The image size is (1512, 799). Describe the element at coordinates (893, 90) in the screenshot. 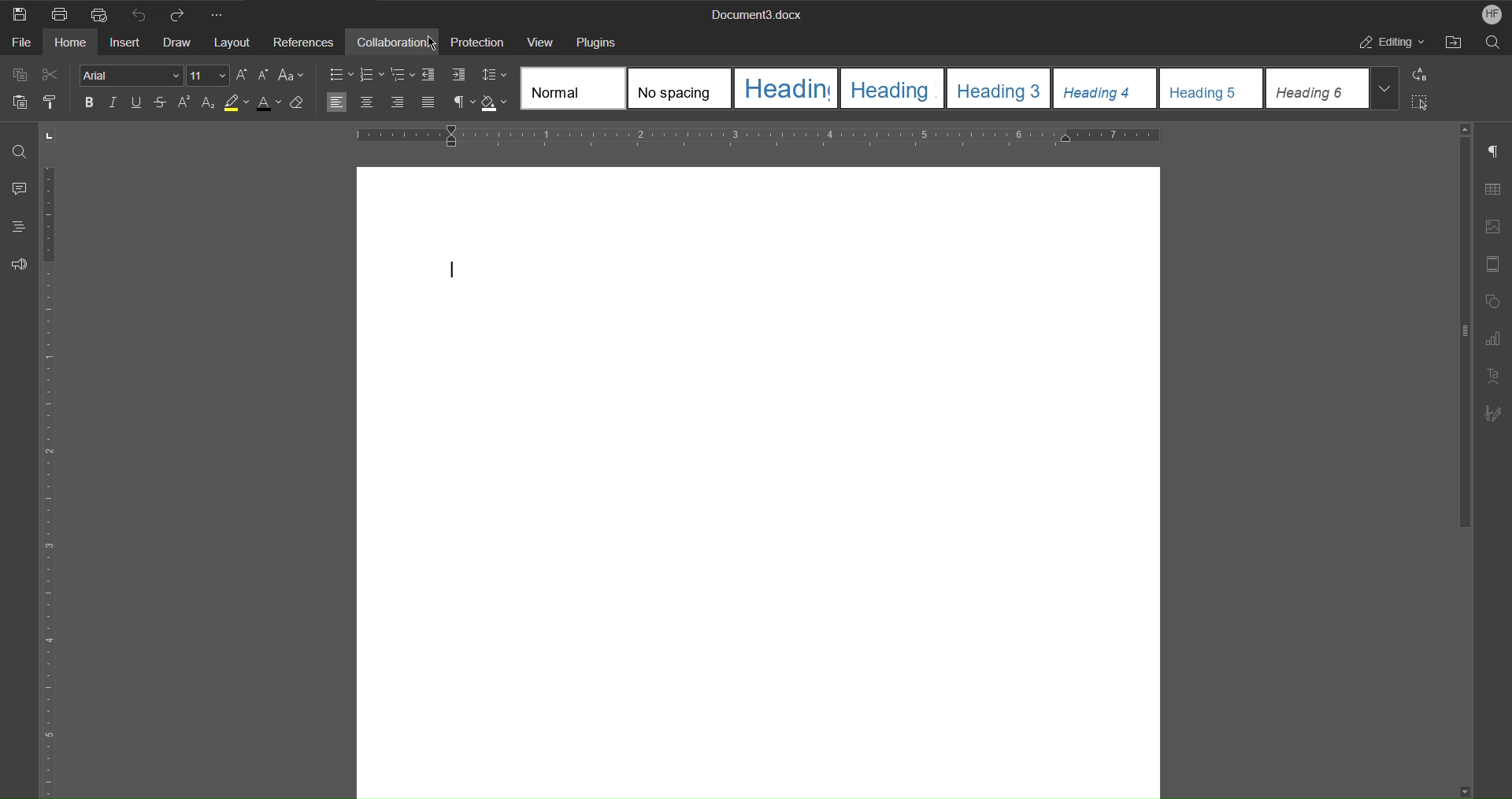

I see `Heading 3` at that location.